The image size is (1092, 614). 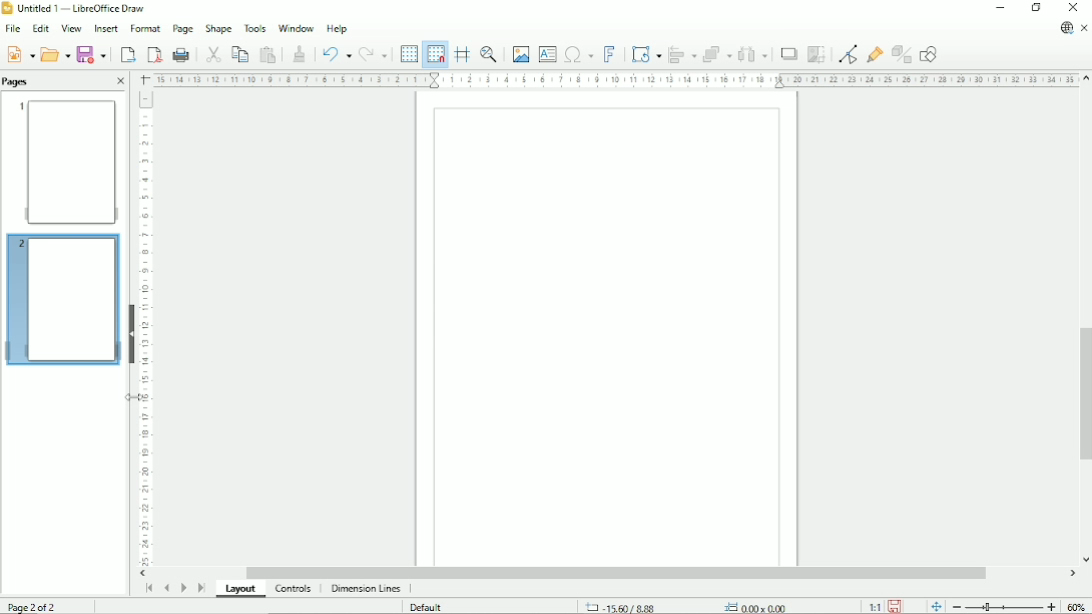 What do you see at coordinates (299, 52) in the screenshot?
I see `Clone formatting` at bounding box center [299, 52].